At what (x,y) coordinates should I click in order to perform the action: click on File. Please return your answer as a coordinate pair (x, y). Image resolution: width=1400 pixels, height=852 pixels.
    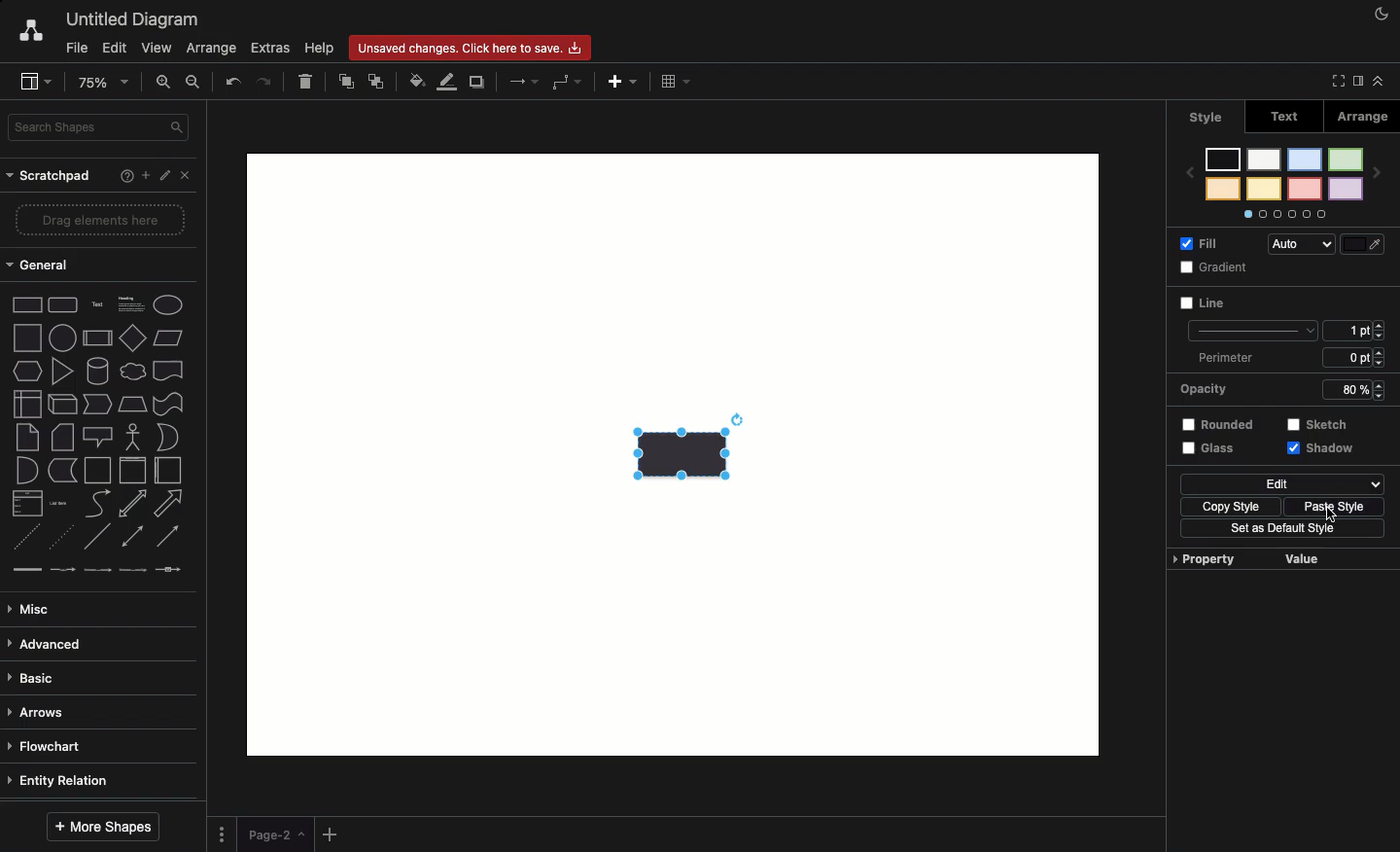
    Looking at the image, I should click on (74, 48).